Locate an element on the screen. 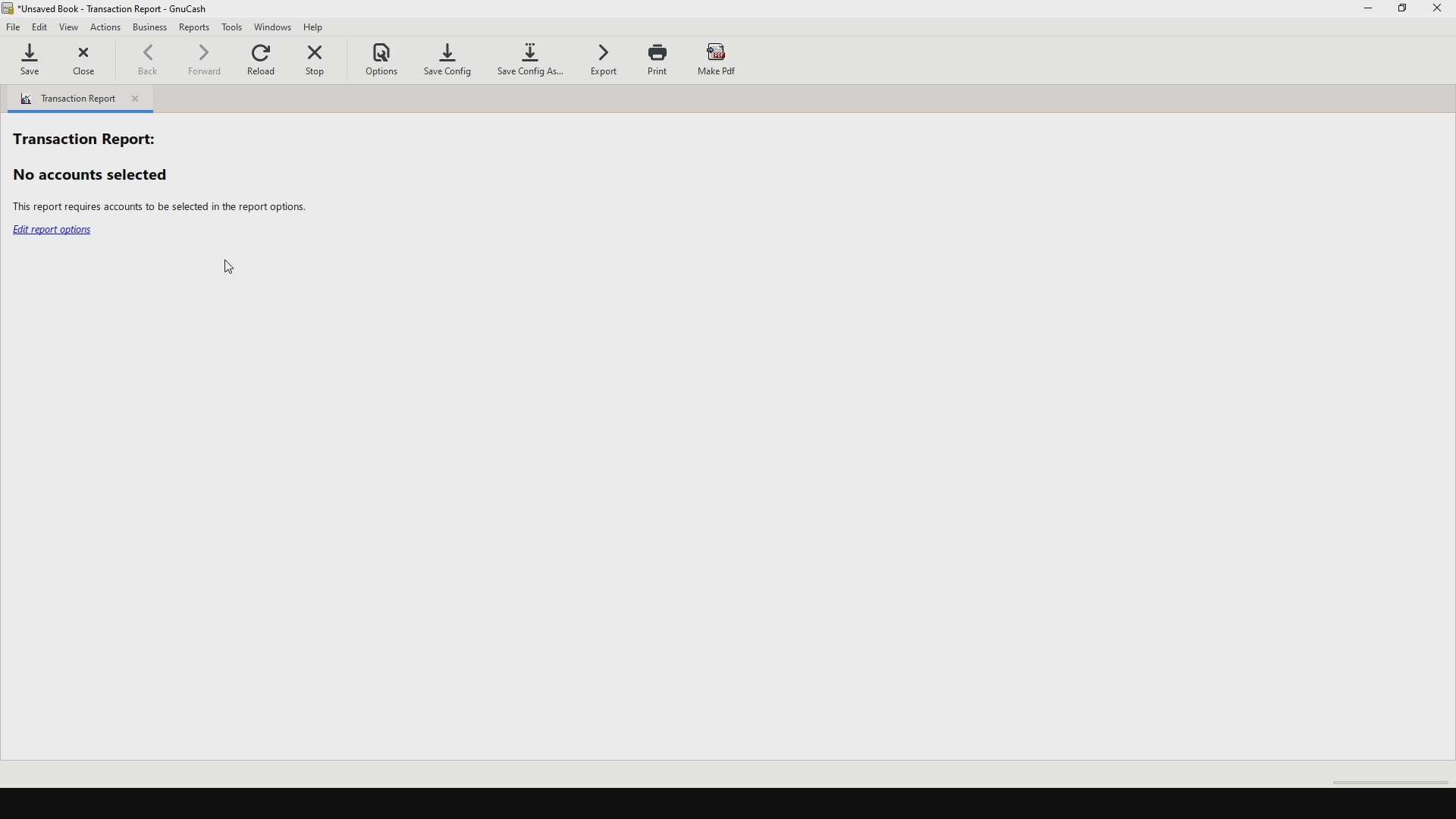 The height and width of the screenshot is (819, 1456). tools is located at coordinates (234, 27).